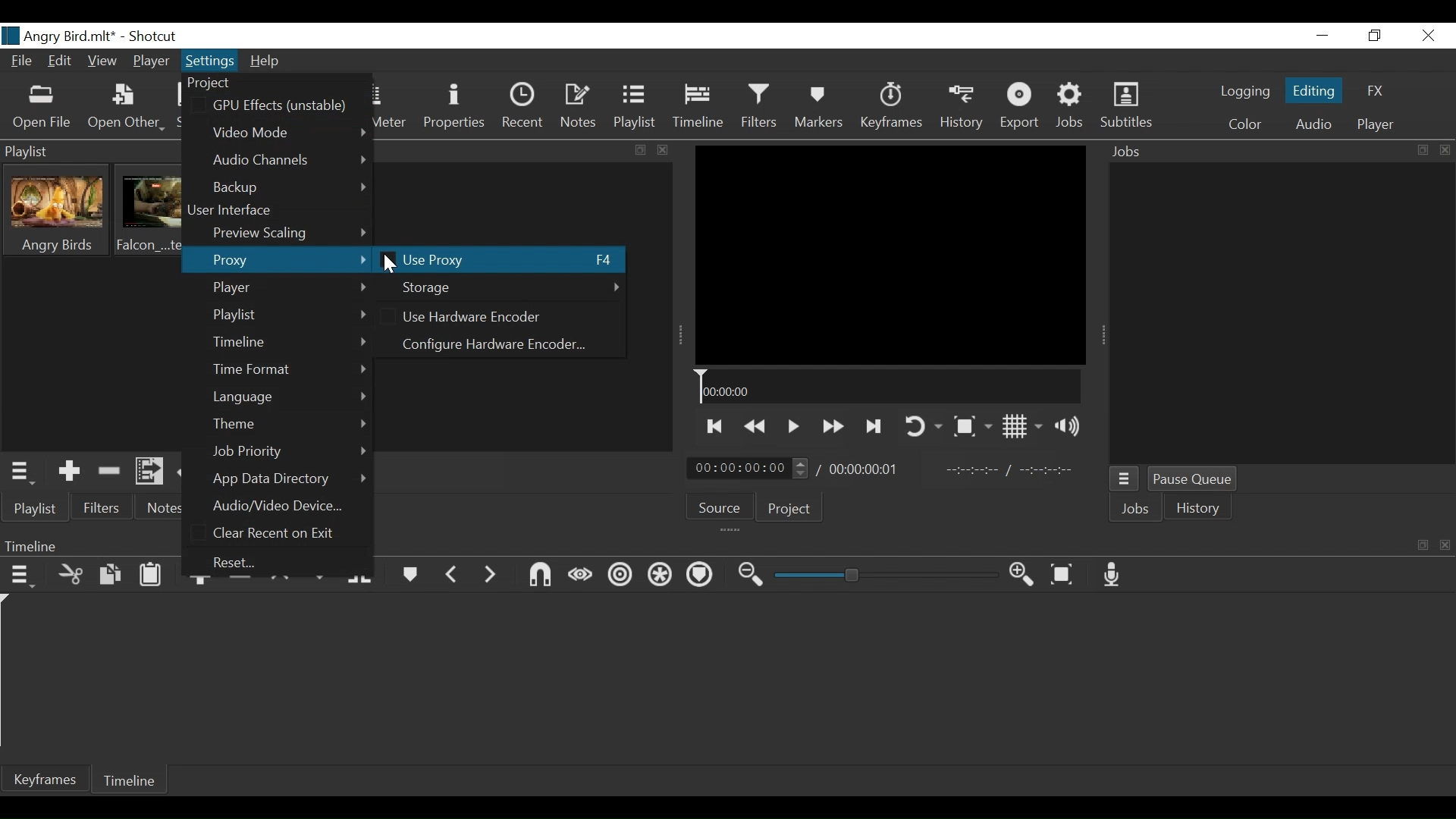 Image resolution: width=1456 pixels, height=819 pixels. What do you see at coordinates (394, 267) in the screenshot?
I see `Cursor` at bounding box center [394, 267].